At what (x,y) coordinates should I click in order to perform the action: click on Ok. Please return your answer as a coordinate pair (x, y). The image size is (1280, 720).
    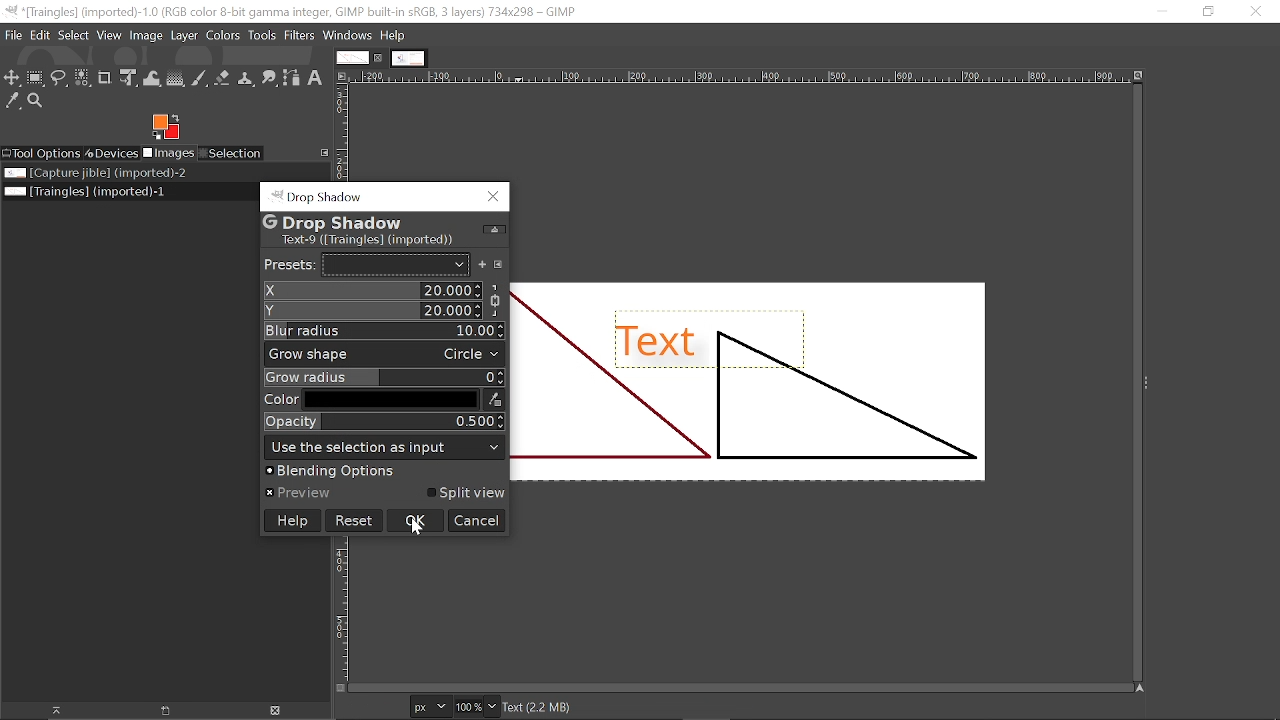
    Looking at the image, I should click on (415, 521).